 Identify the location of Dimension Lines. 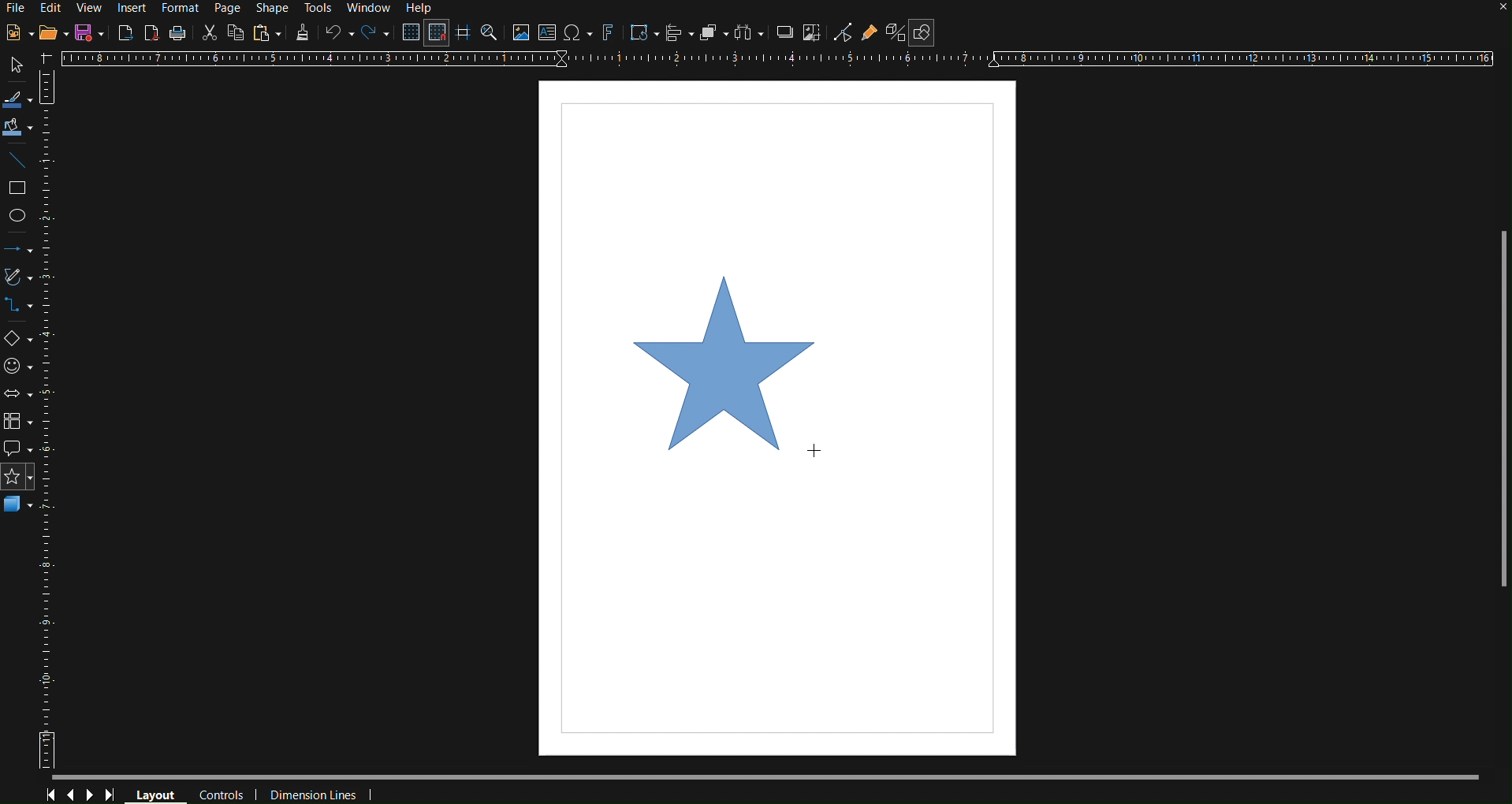
(311, 792).